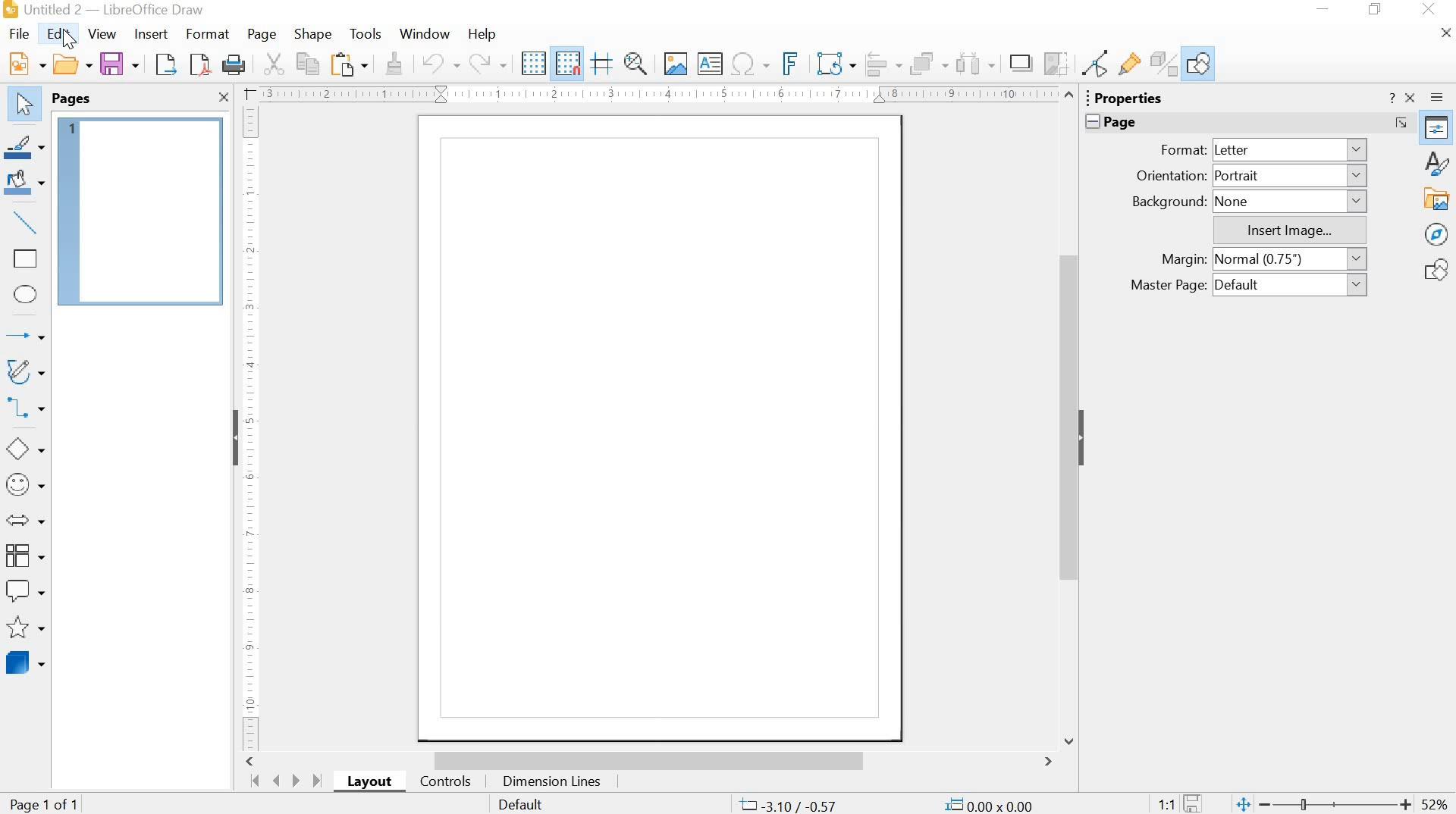 Image resolution: width=1456 pixels, height=814 pixels. I want to click on file name, so click(108, 11).